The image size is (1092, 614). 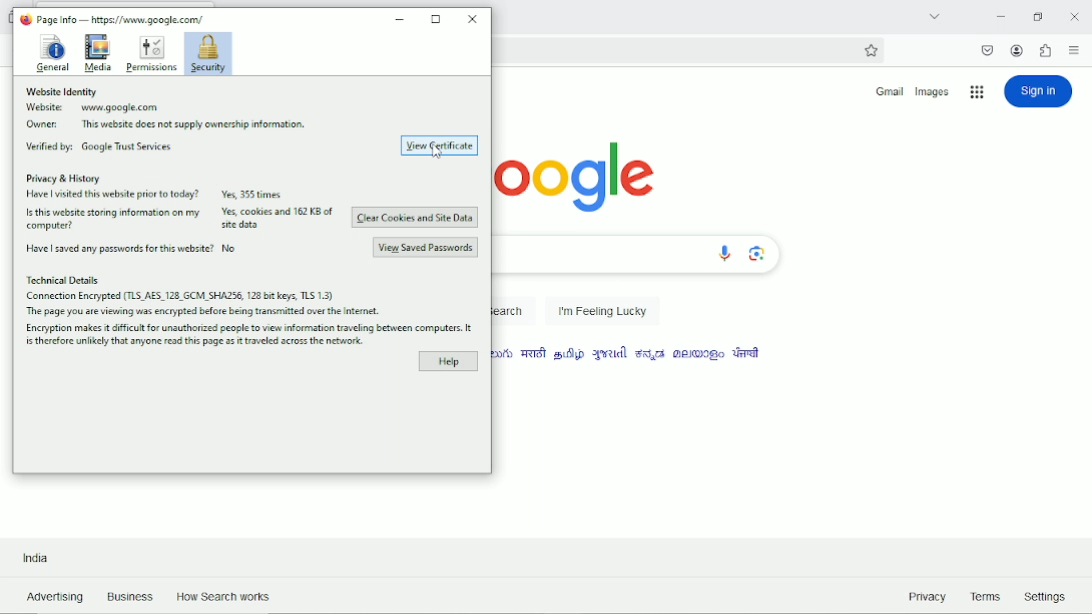 I want to click on Verified by, so click(x=48, y=145).